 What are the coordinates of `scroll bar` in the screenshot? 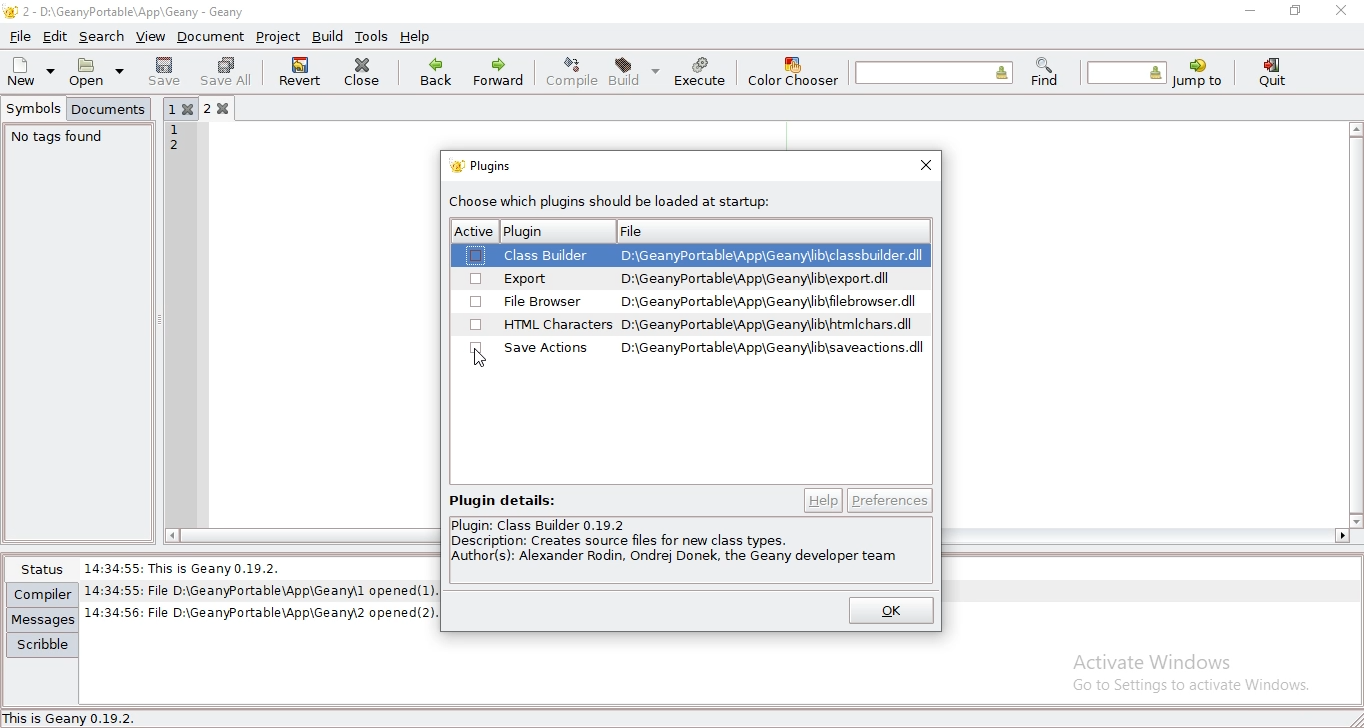 It's located at (294, 536).